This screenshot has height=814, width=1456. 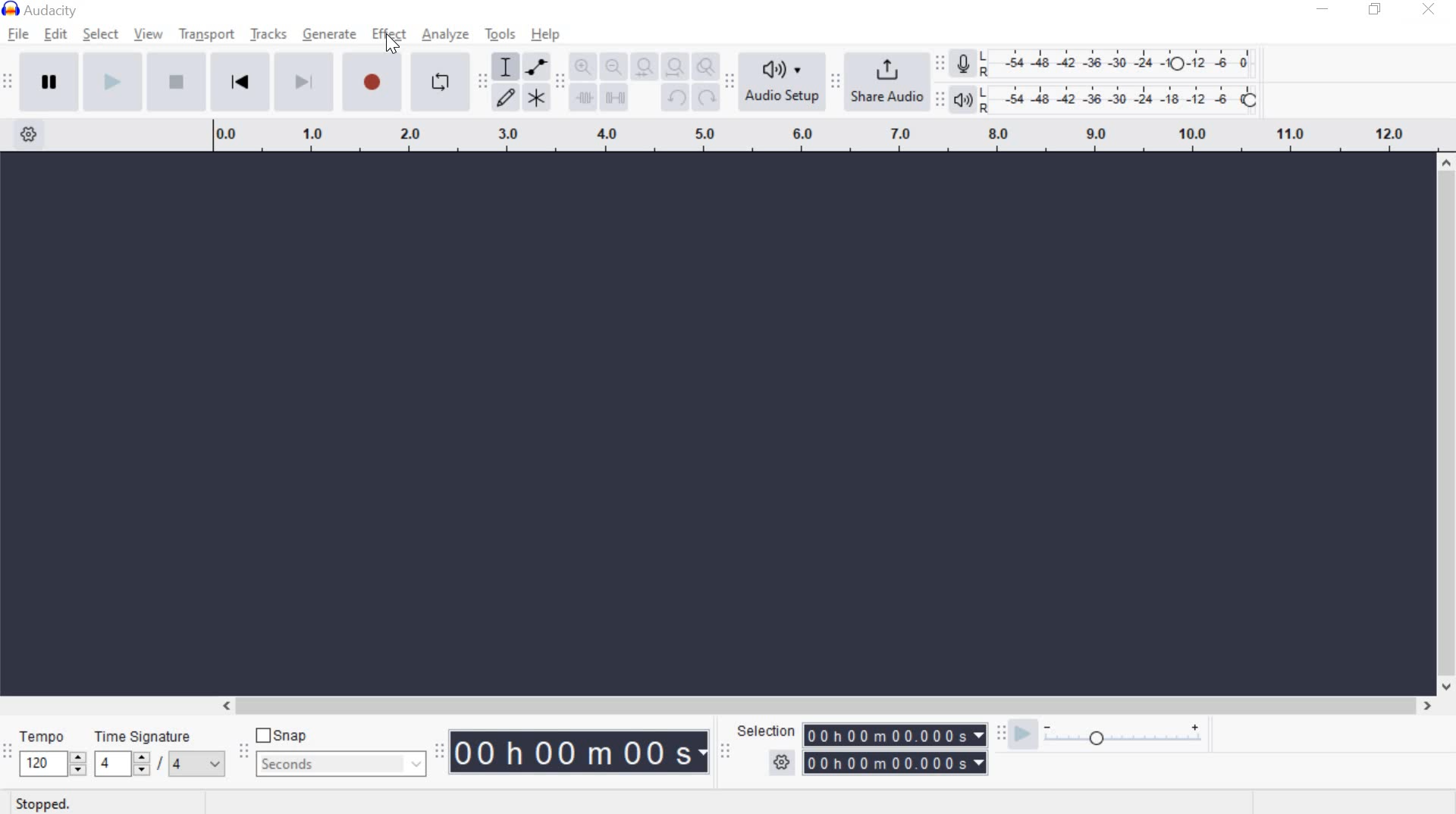 What do you see at coordinates (732, 81) in the screenshot?
I see `Audio setup toolbar` at bounding box center [732, 81].